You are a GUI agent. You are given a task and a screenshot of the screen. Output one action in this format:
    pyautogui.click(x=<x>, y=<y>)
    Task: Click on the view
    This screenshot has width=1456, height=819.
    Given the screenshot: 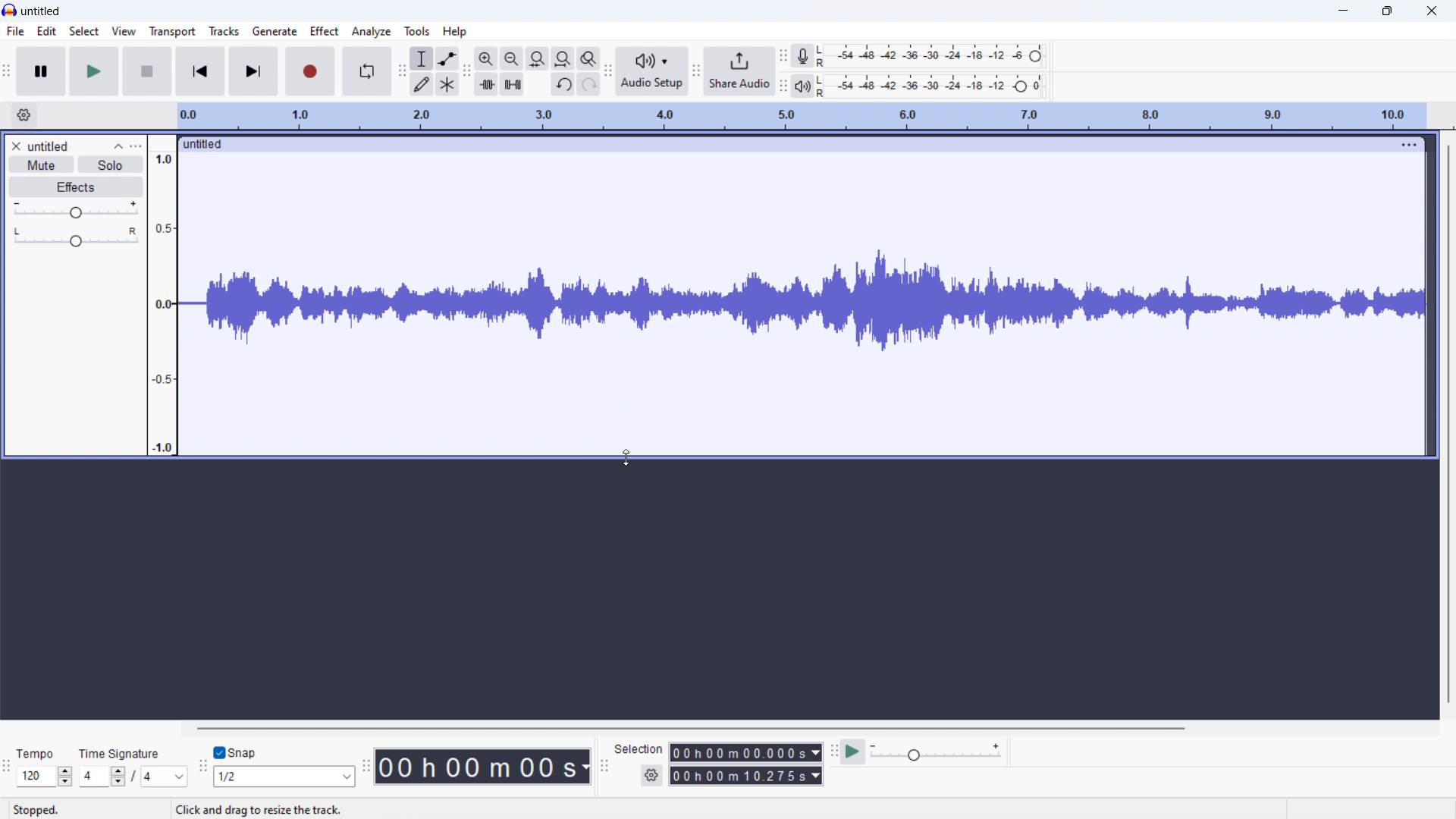 What is the action you would take?
    pyautogui.click(x=122, y=32)
    